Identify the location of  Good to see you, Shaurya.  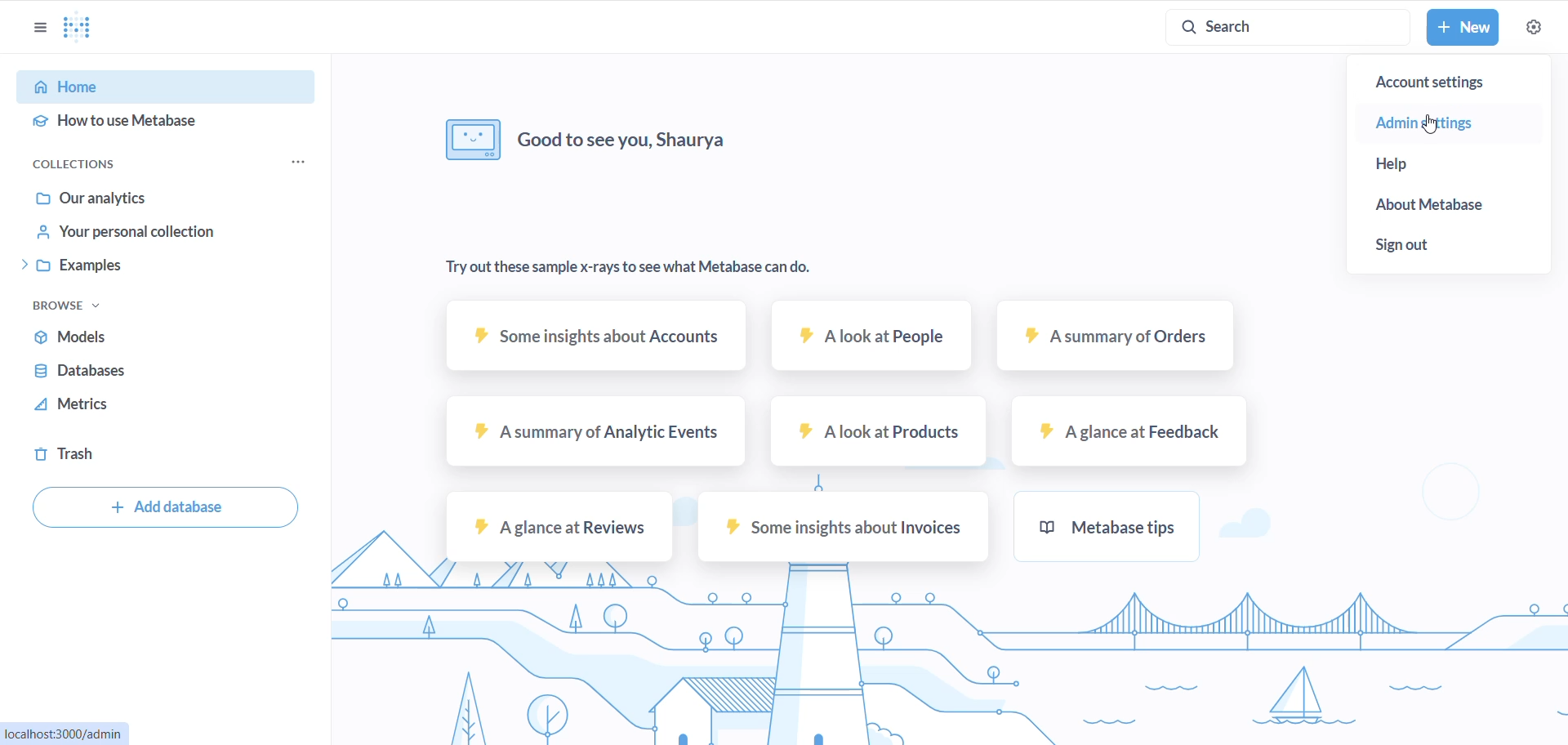
(590, 138).